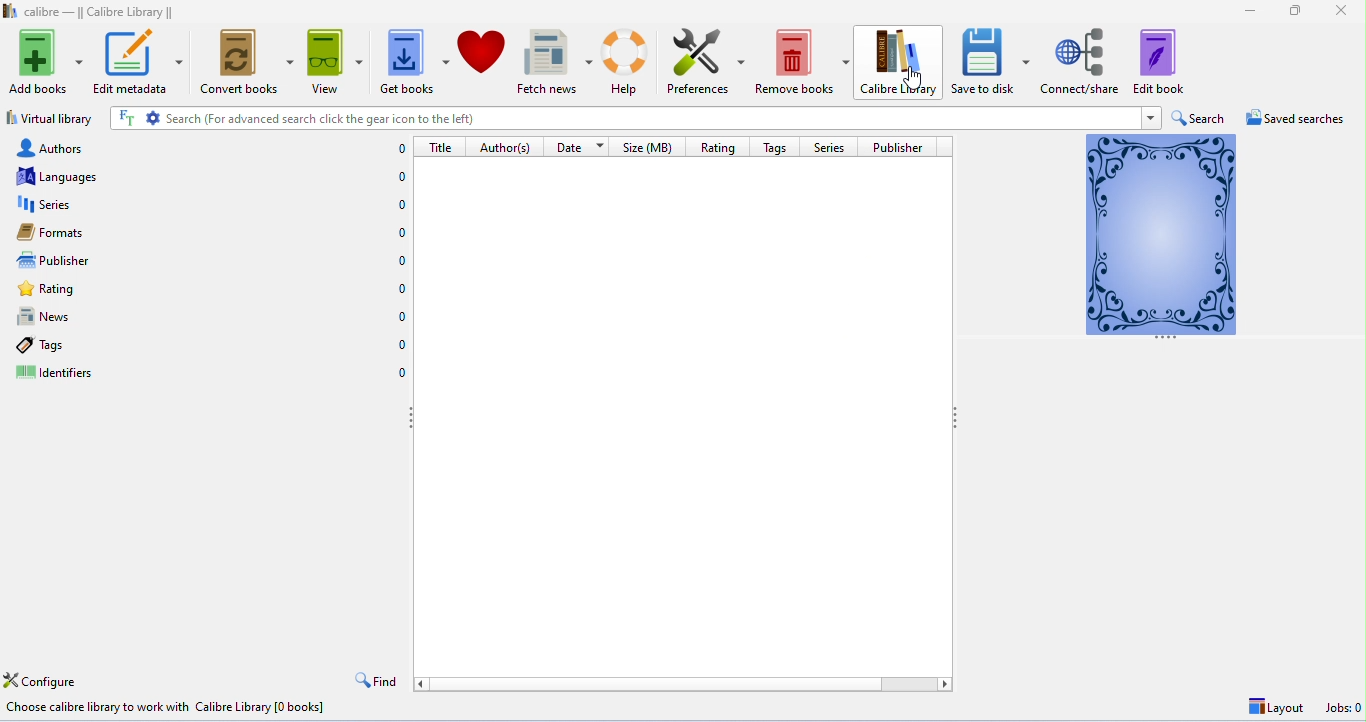 The height and width of the screenshot is (722, 1366). I want to click on edit book, so click(1159, 61).